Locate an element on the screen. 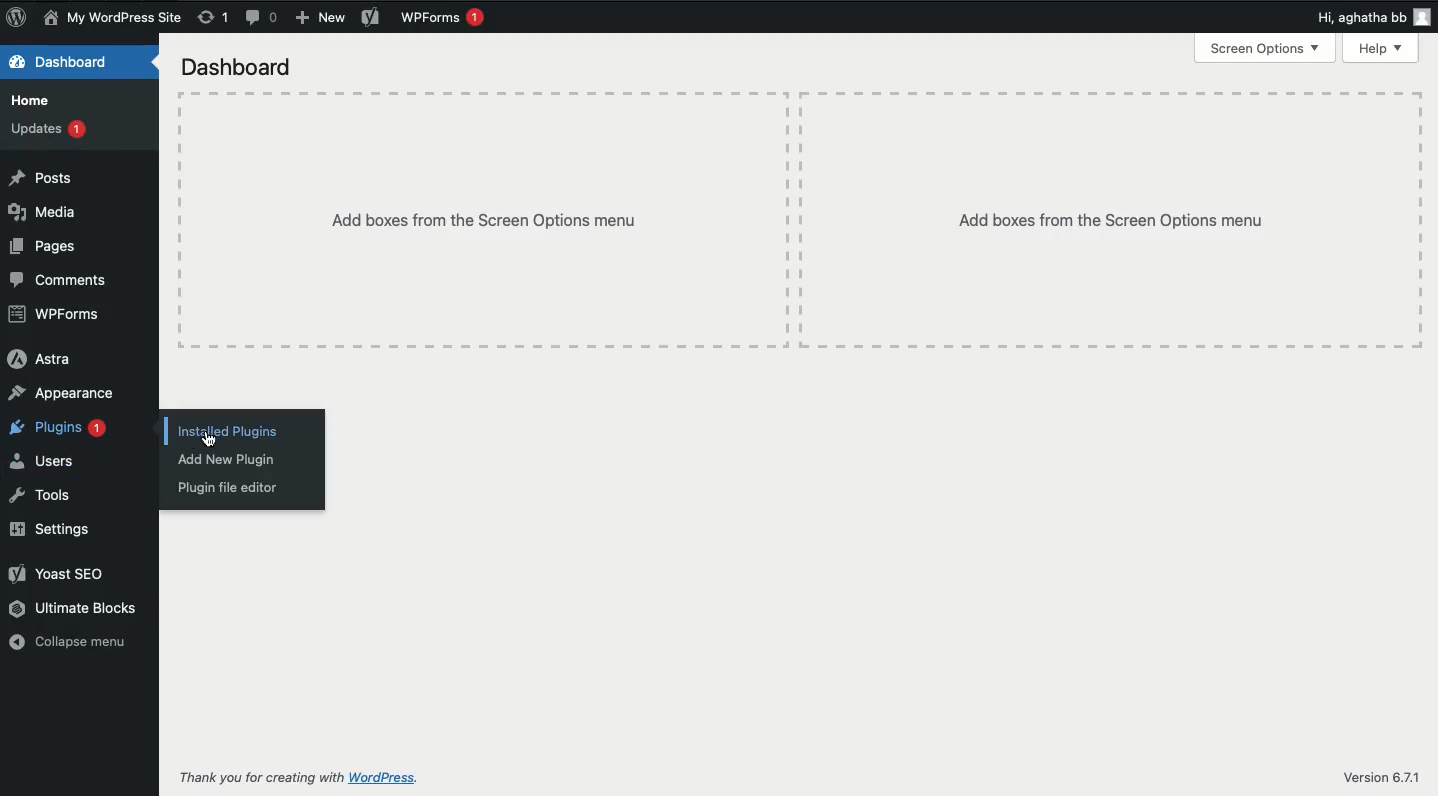 The width and height of the screenshot is (1438, 796). Yoast is located at coordinates (64, 576).